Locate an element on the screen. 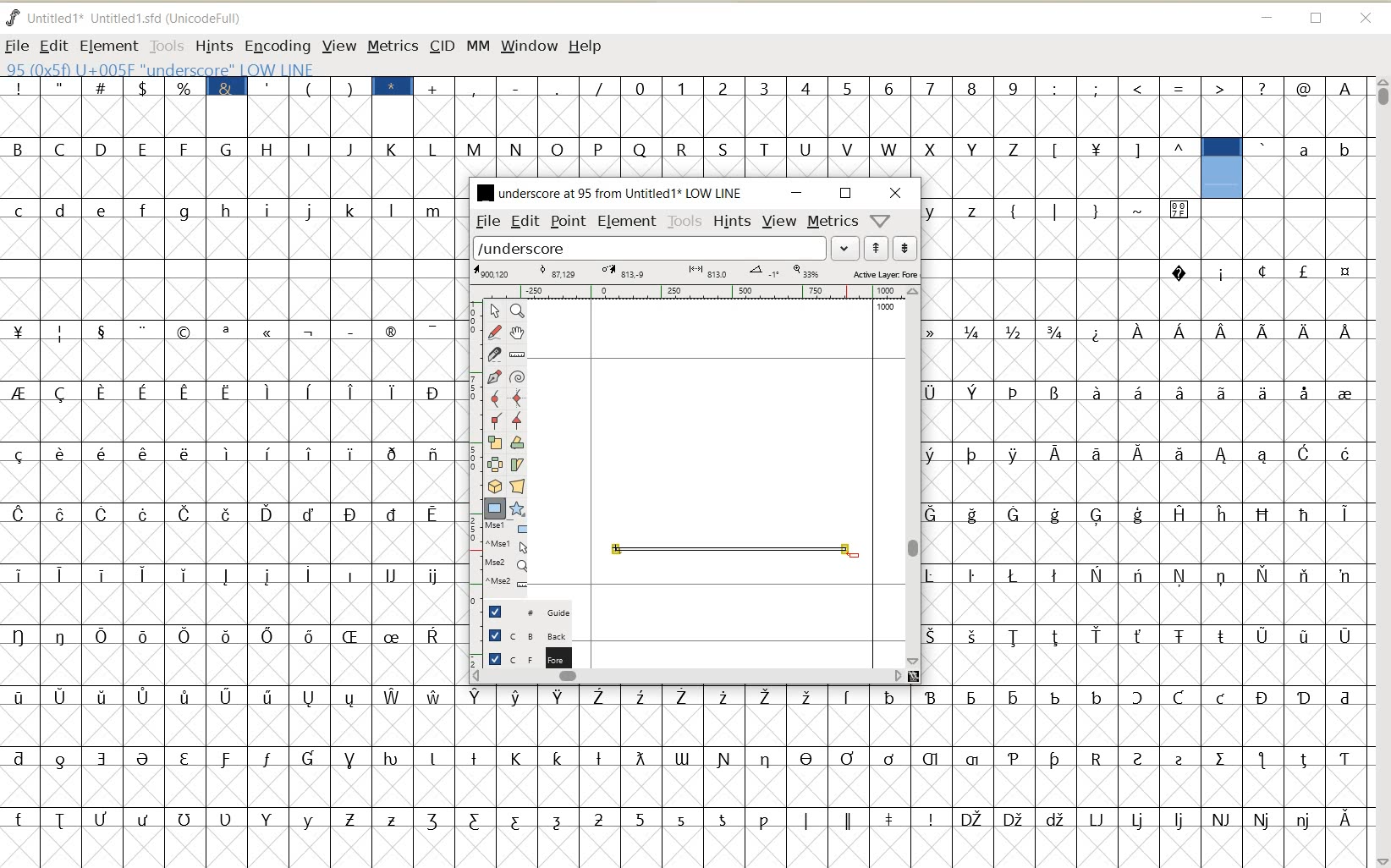 This screenshot has height=868, width=1391. CID is located at coordinates (442, 47).